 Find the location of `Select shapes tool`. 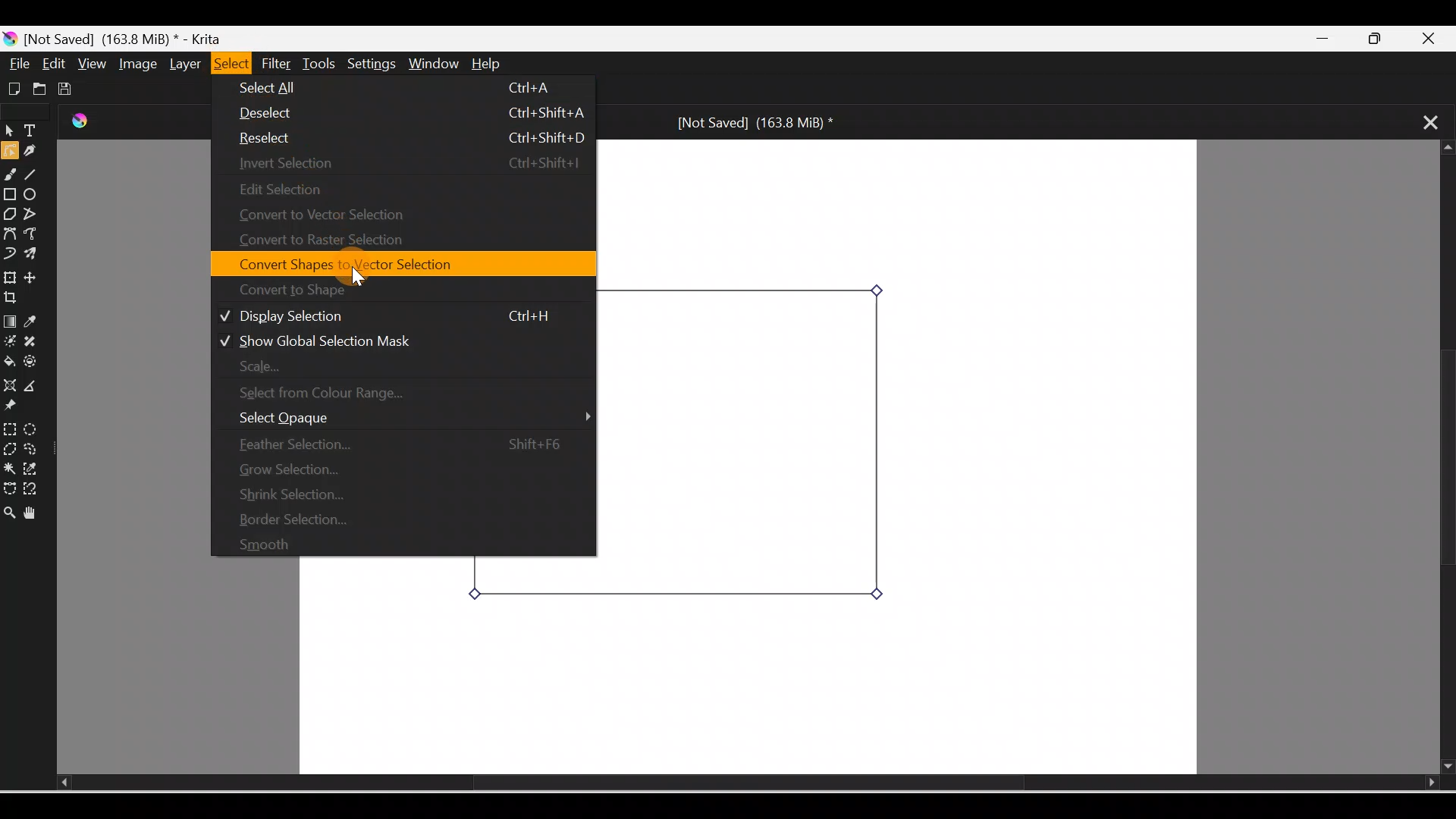

Select shapes tool is located at coordinates (9, 133).